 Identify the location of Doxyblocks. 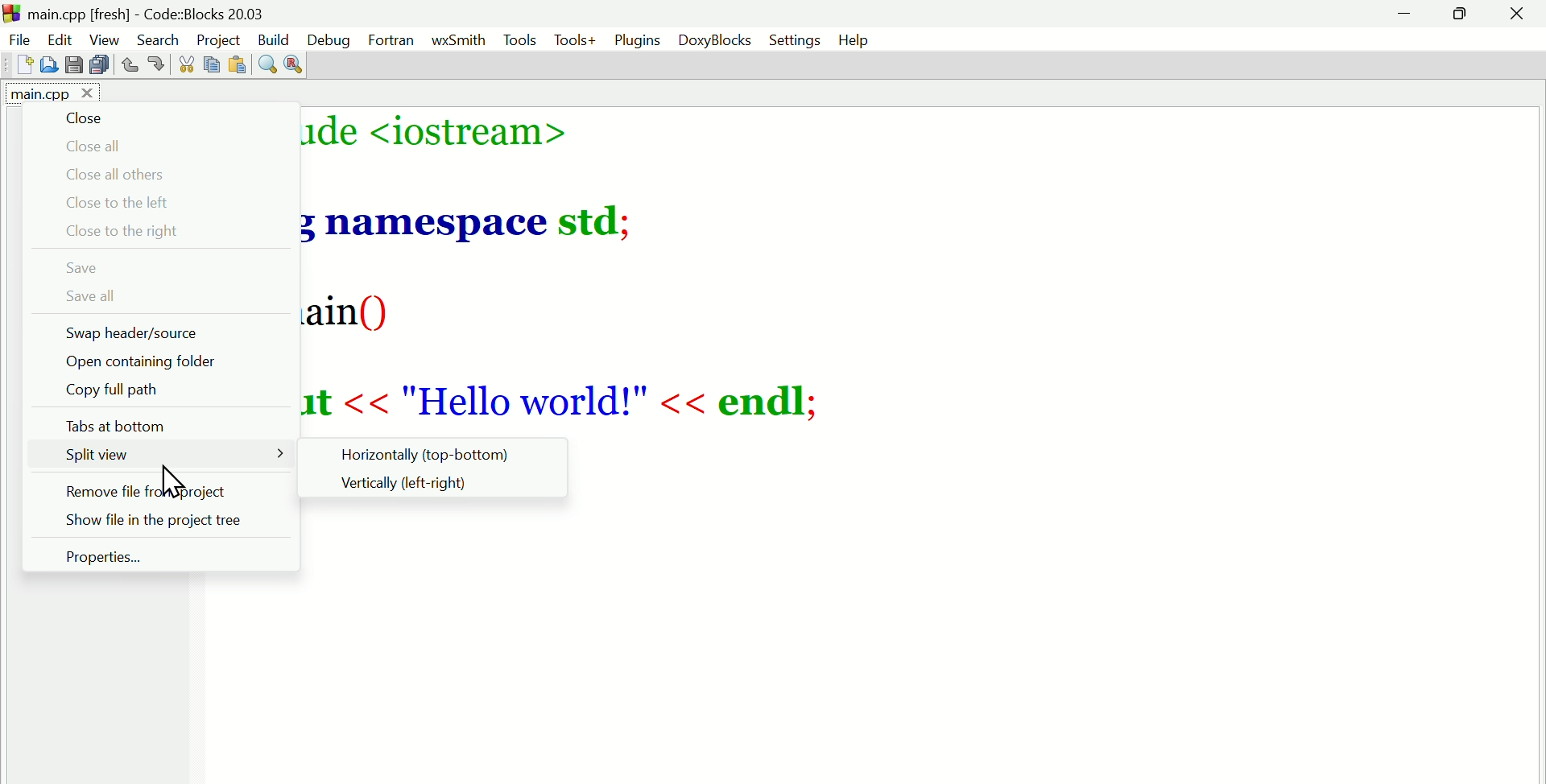
(714, 41).